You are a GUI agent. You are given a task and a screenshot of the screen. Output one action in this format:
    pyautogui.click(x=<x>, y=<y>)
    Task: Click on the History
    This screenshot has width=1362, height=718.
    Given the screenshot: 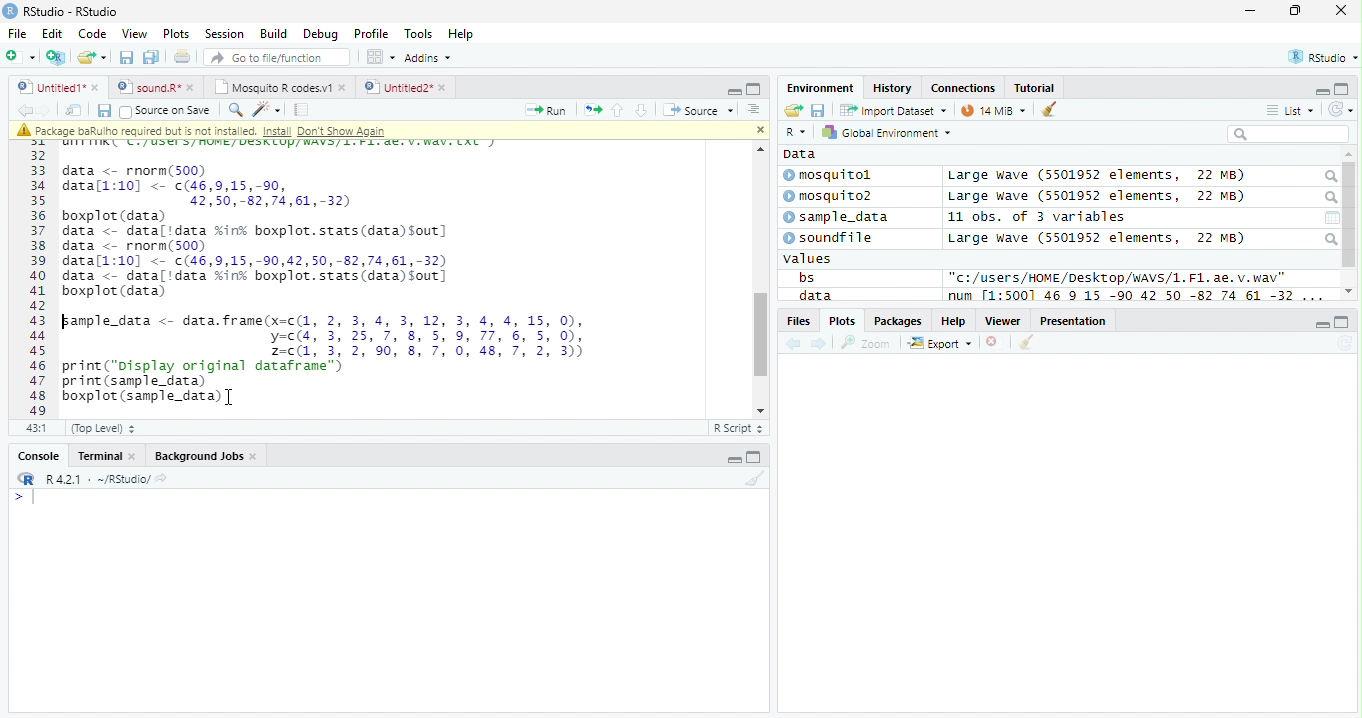 What is the action you would take?
    pyautogui.click(x=892, y=88)
    